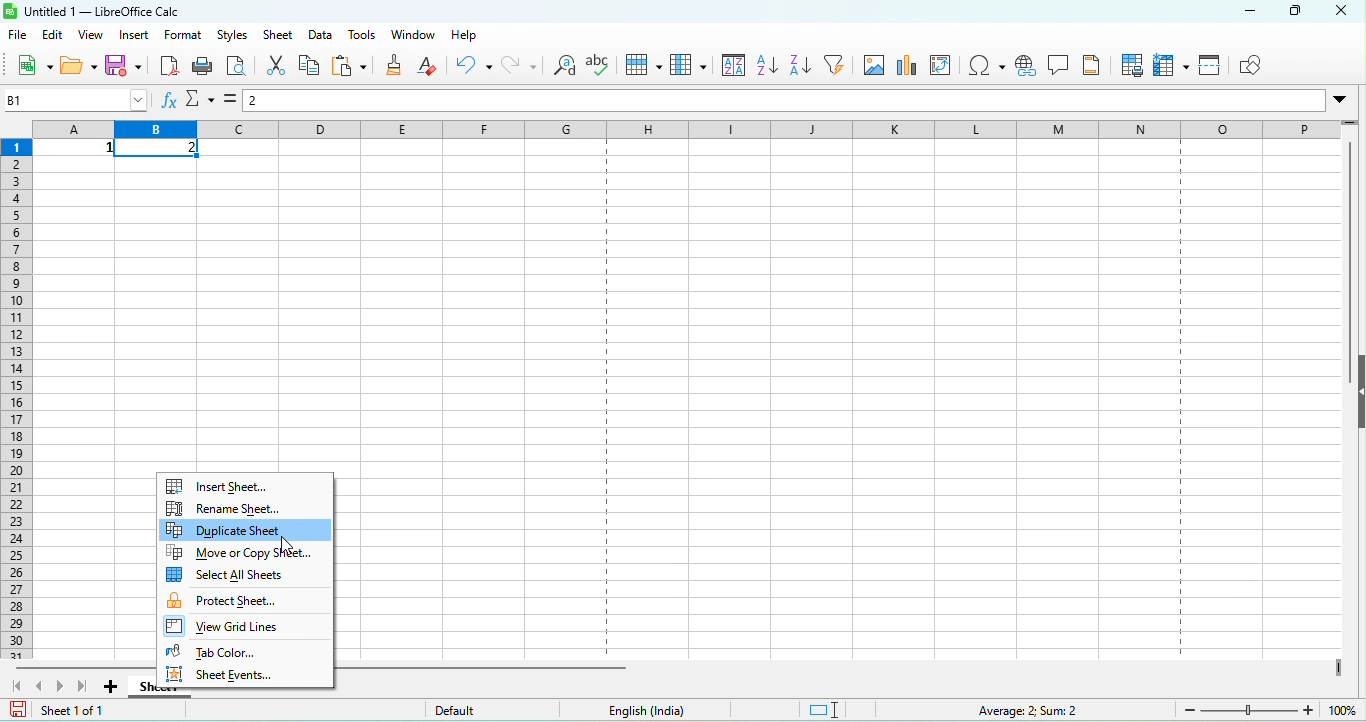 This screenshot has width=1366, height=722. Describe the element at coordinates (415, 33) in the screenshot. I see `window` at that location.